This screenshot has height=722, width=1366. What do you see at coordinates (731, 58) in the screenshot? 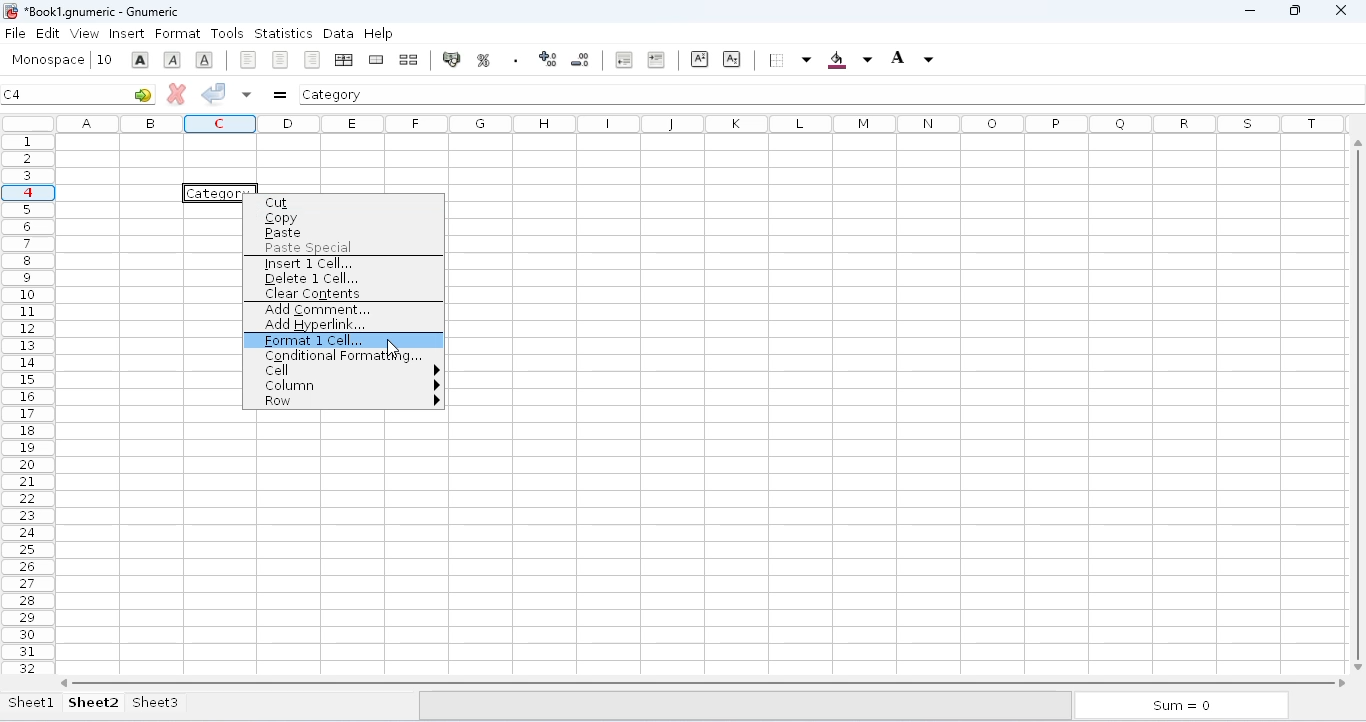
I see `subscript` at bounding box center [731, 58].